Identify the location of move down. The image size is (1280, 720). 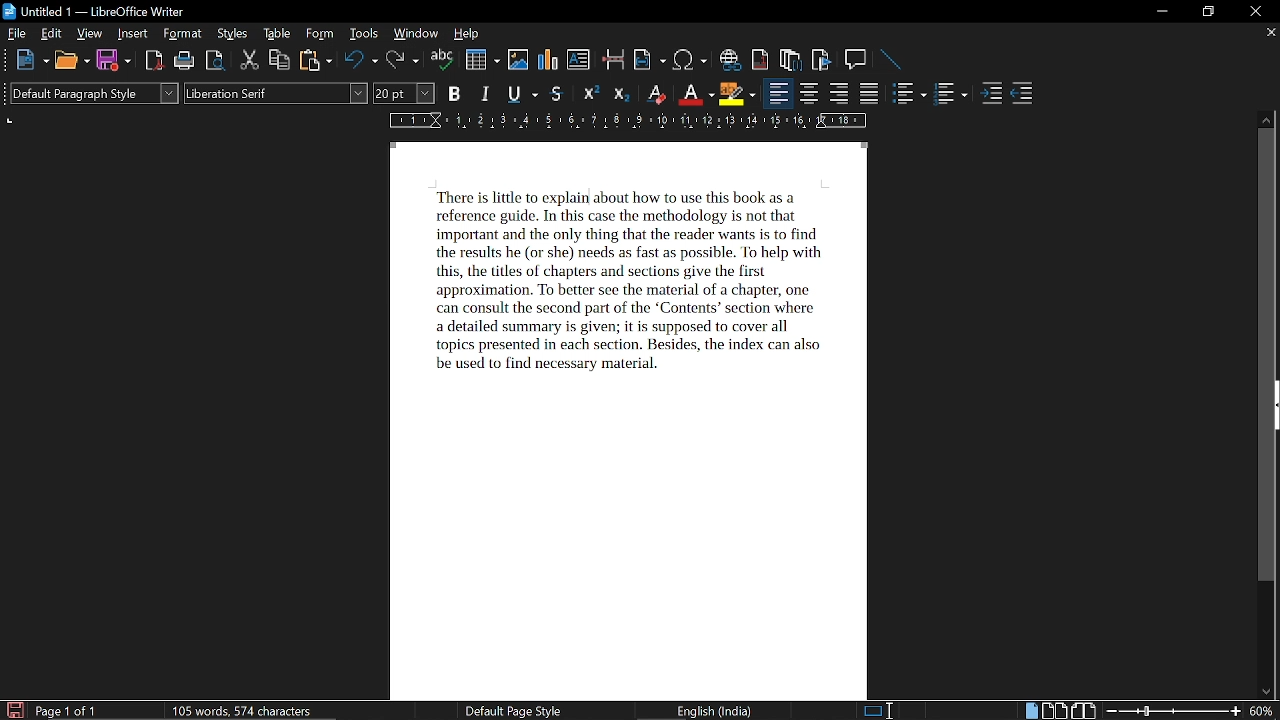
(1266, 693).